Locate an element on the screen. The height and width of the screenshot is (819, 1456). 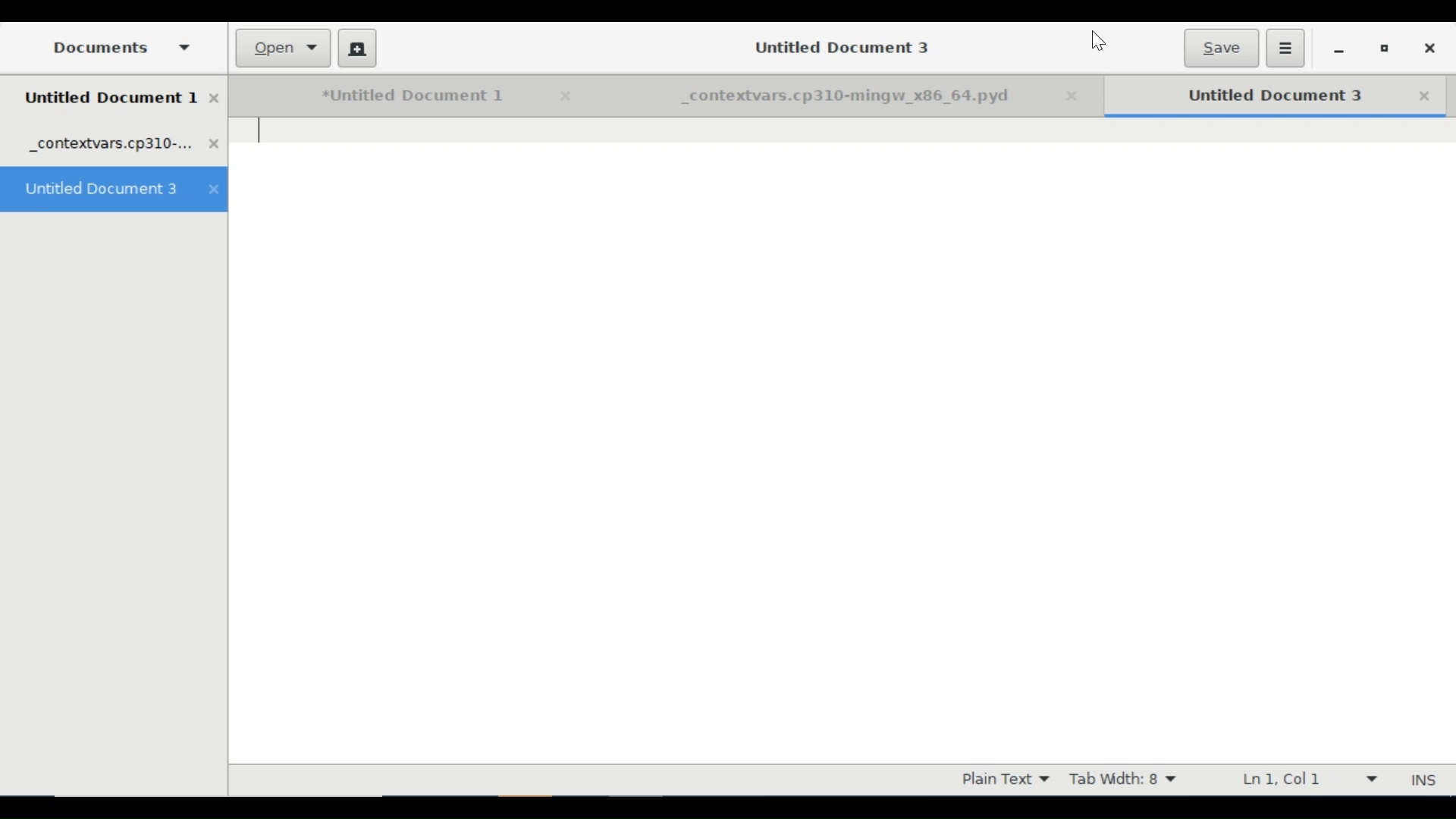
minimize is located at coordinates (1338, 50).